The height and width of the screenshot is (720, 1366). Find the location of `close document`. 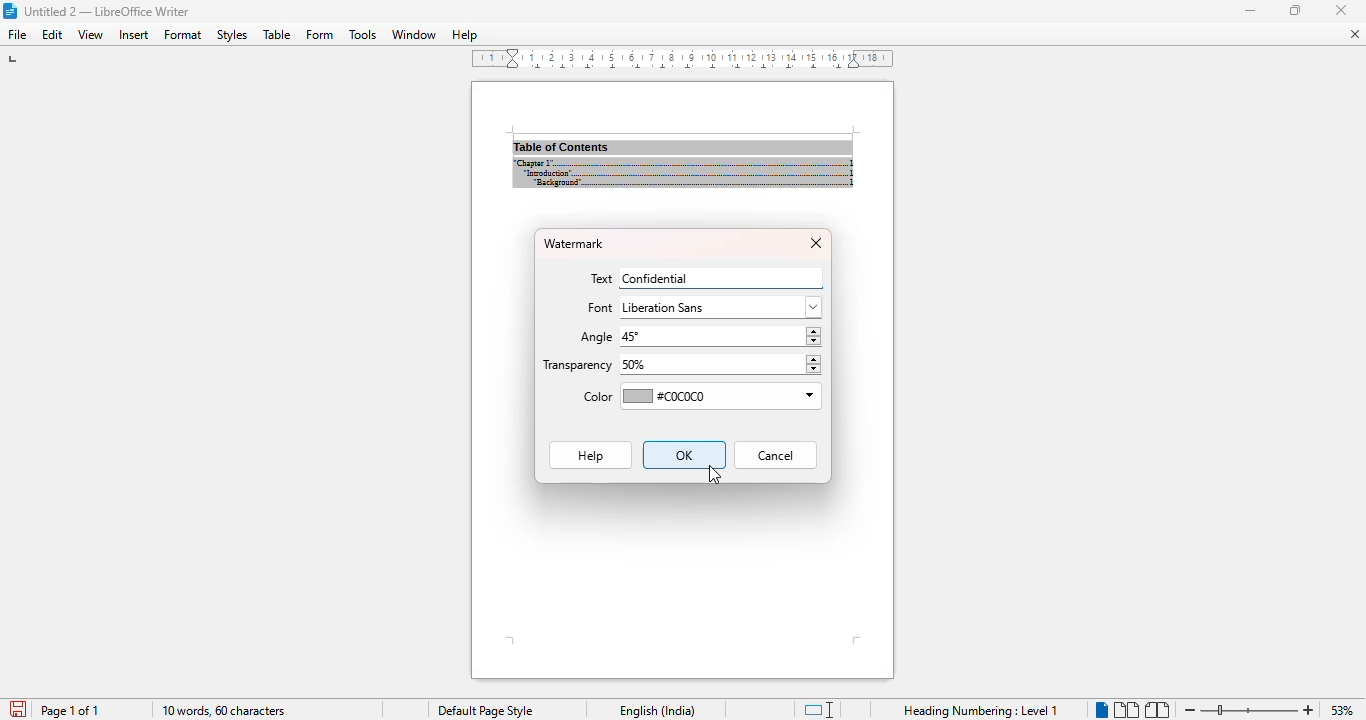

close document is located at coordinates (1355, 34).